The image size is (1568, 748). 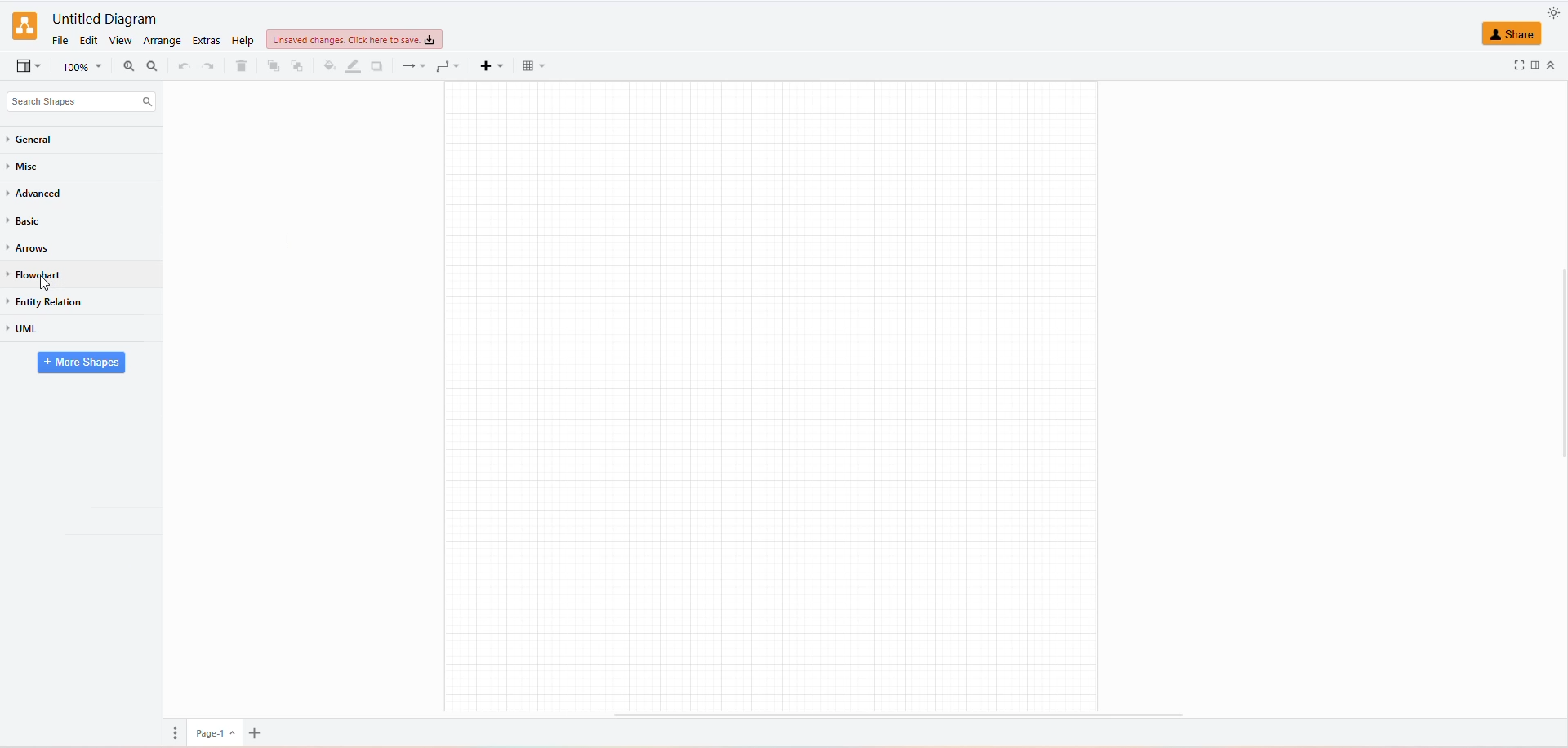 I want to click on cursor, so click(x=42, y=285).